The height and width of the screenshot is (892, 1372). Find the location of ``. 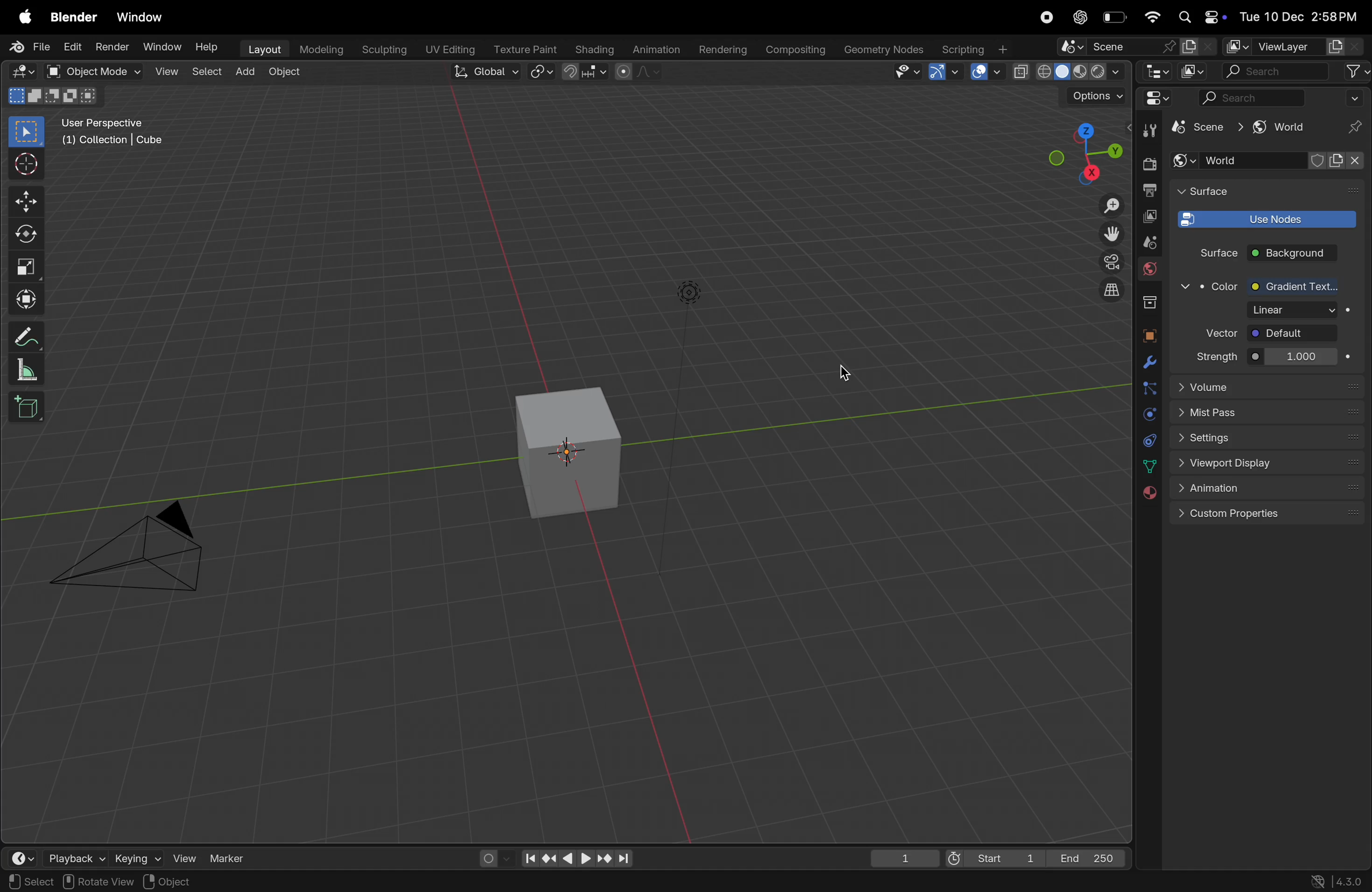

 is located at coordinates (74, 858).